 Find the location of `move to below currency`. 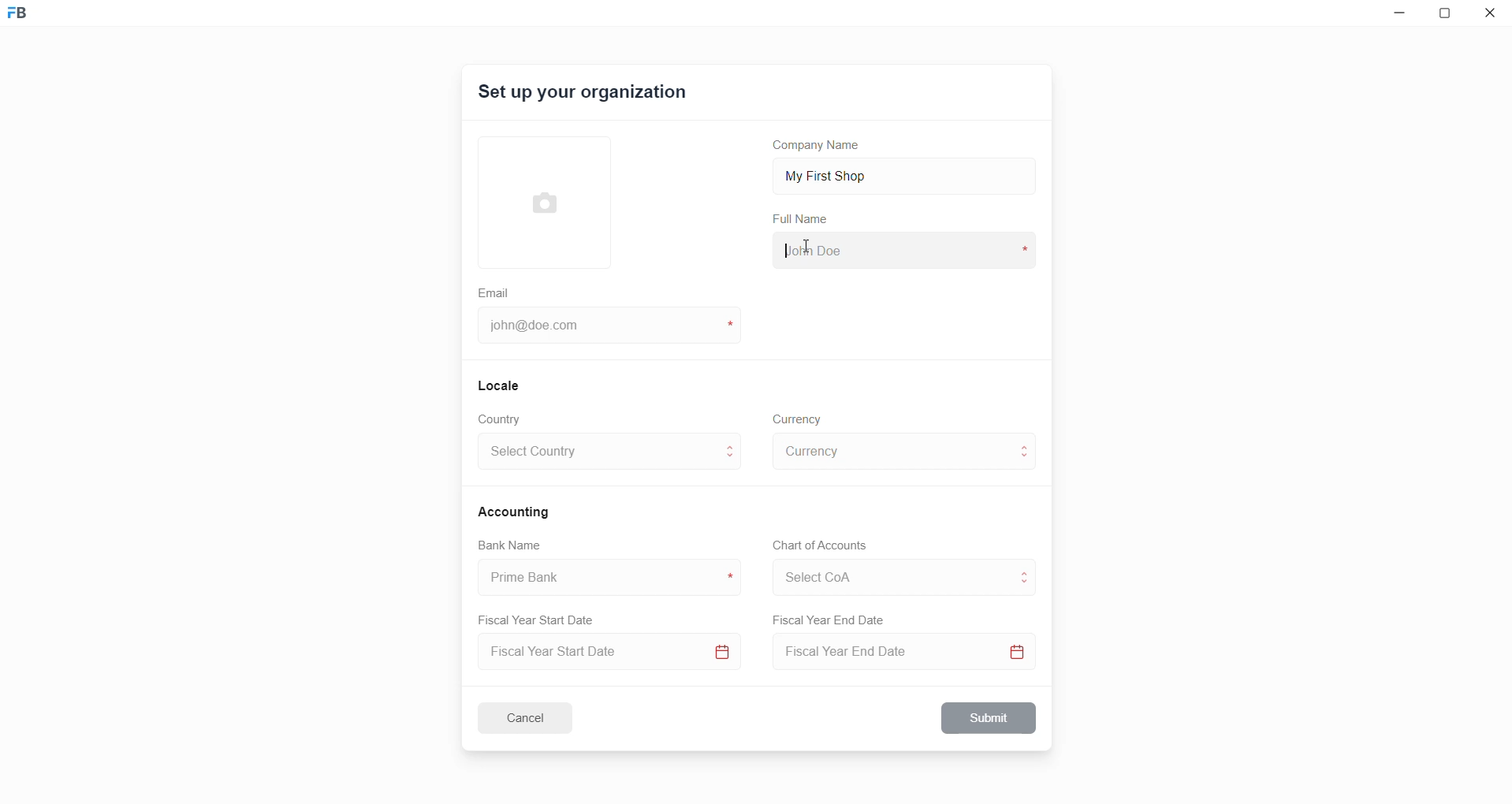

move to below currency is located at coordinates (1028, 460).